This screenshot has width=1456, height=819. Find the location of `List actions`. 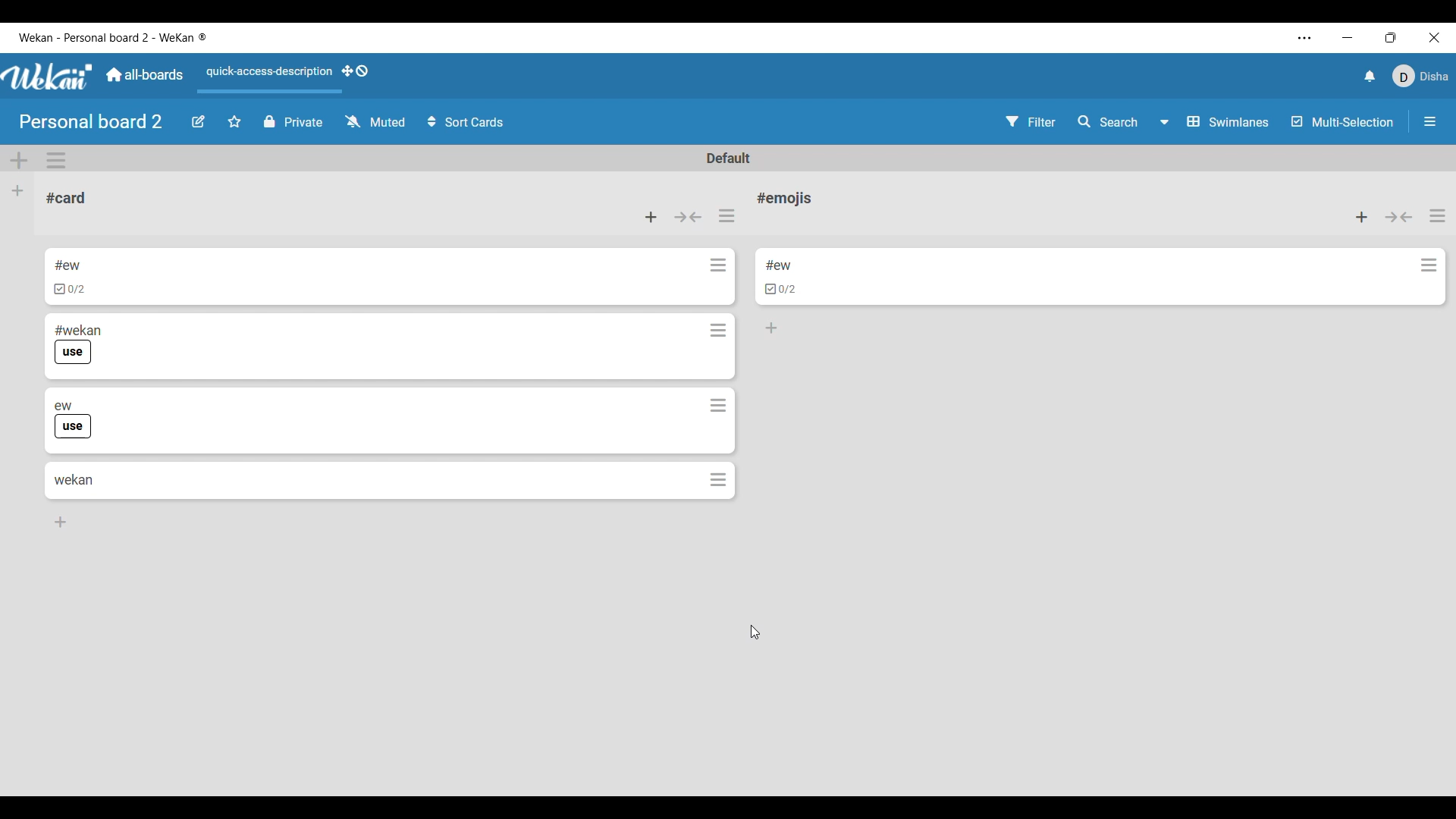

List actions is located at coordinates (1438, 215).